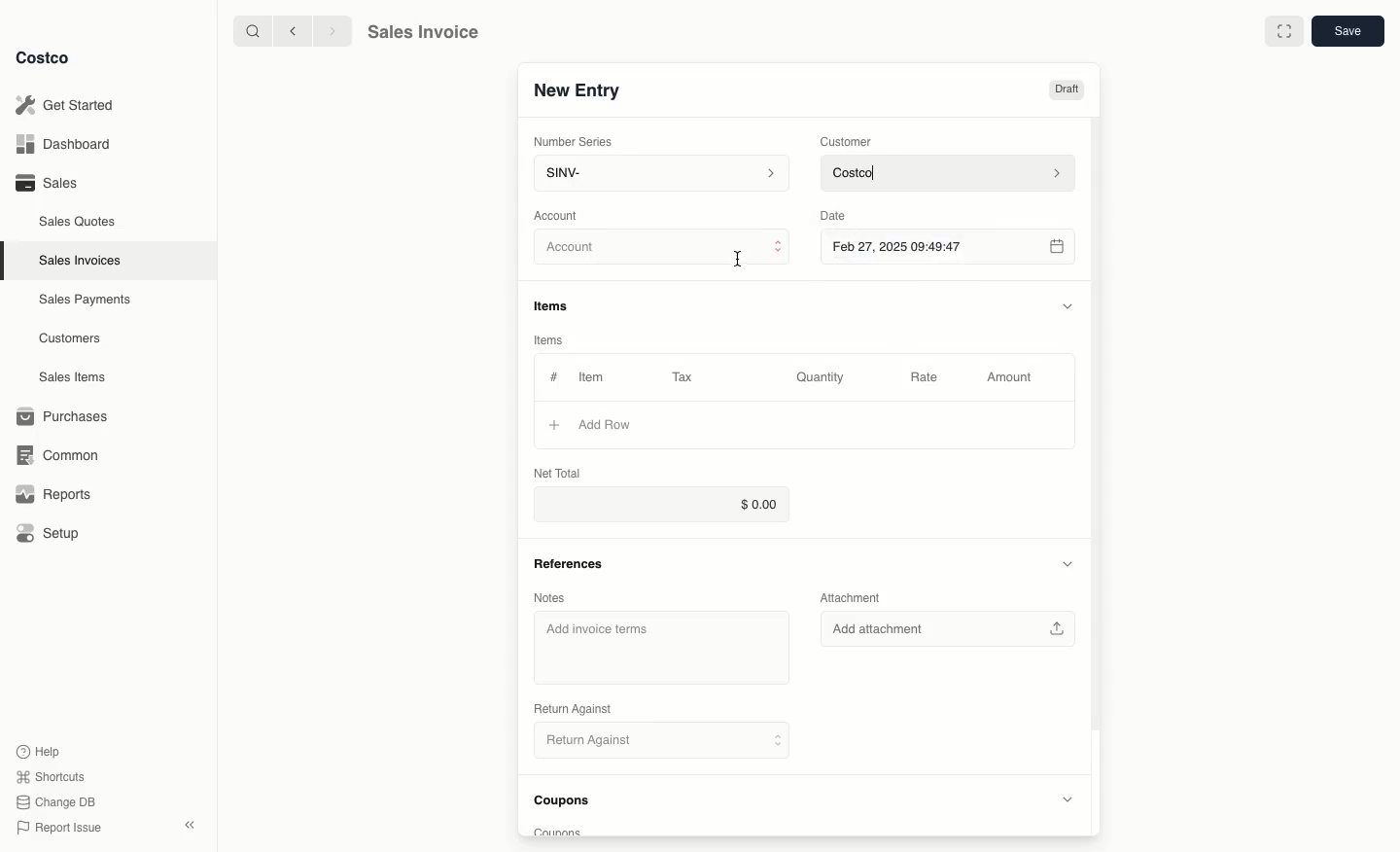 The image size is (1400, 852). Describe the element at coordinates (947, 246) in the screenshot. I see `Feb 27, 2025 09:49:47` at that location.